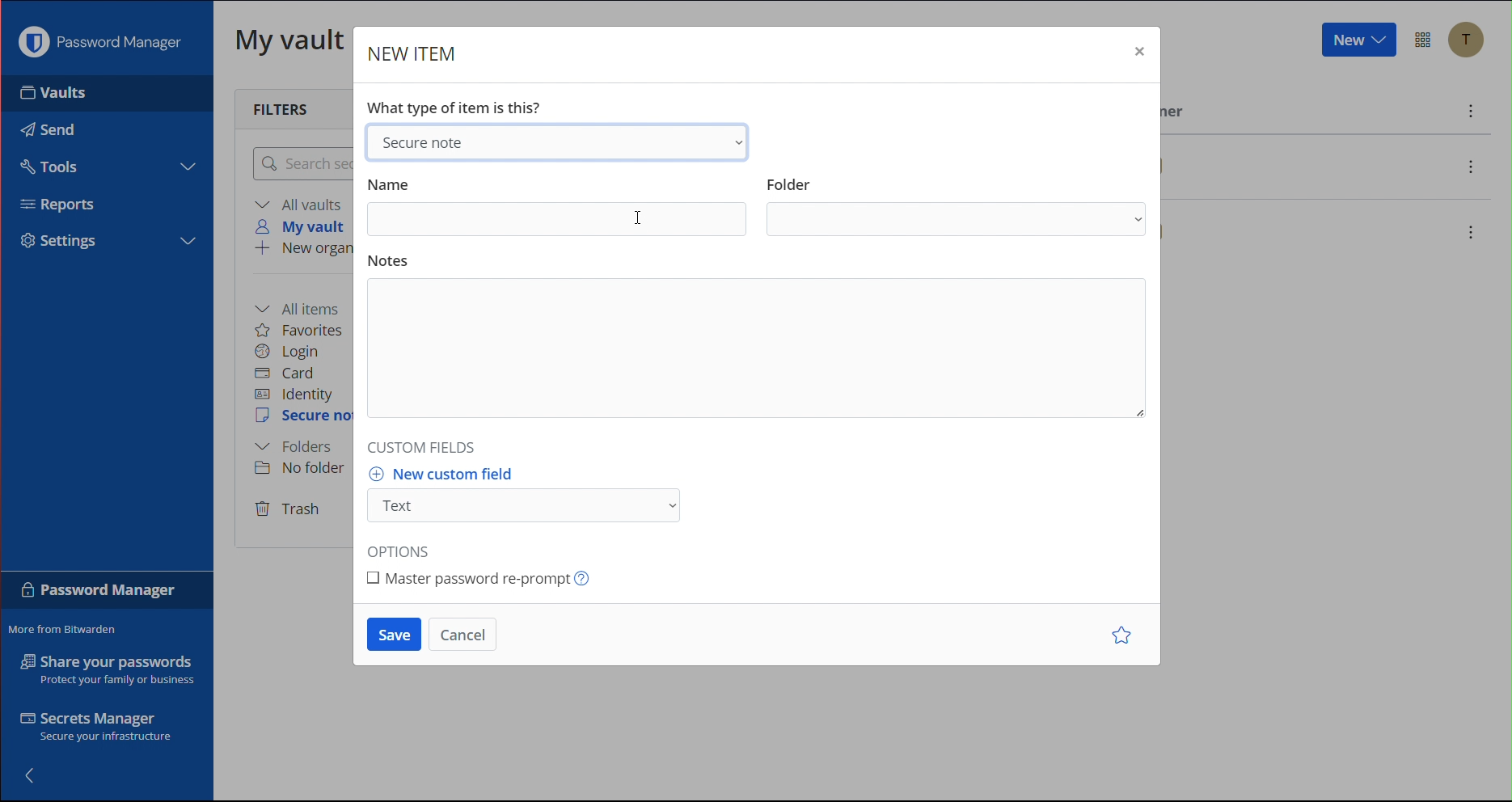  Describe the element at coordinates (538, 495) in the screenshot. I see `New custom field` at that location.